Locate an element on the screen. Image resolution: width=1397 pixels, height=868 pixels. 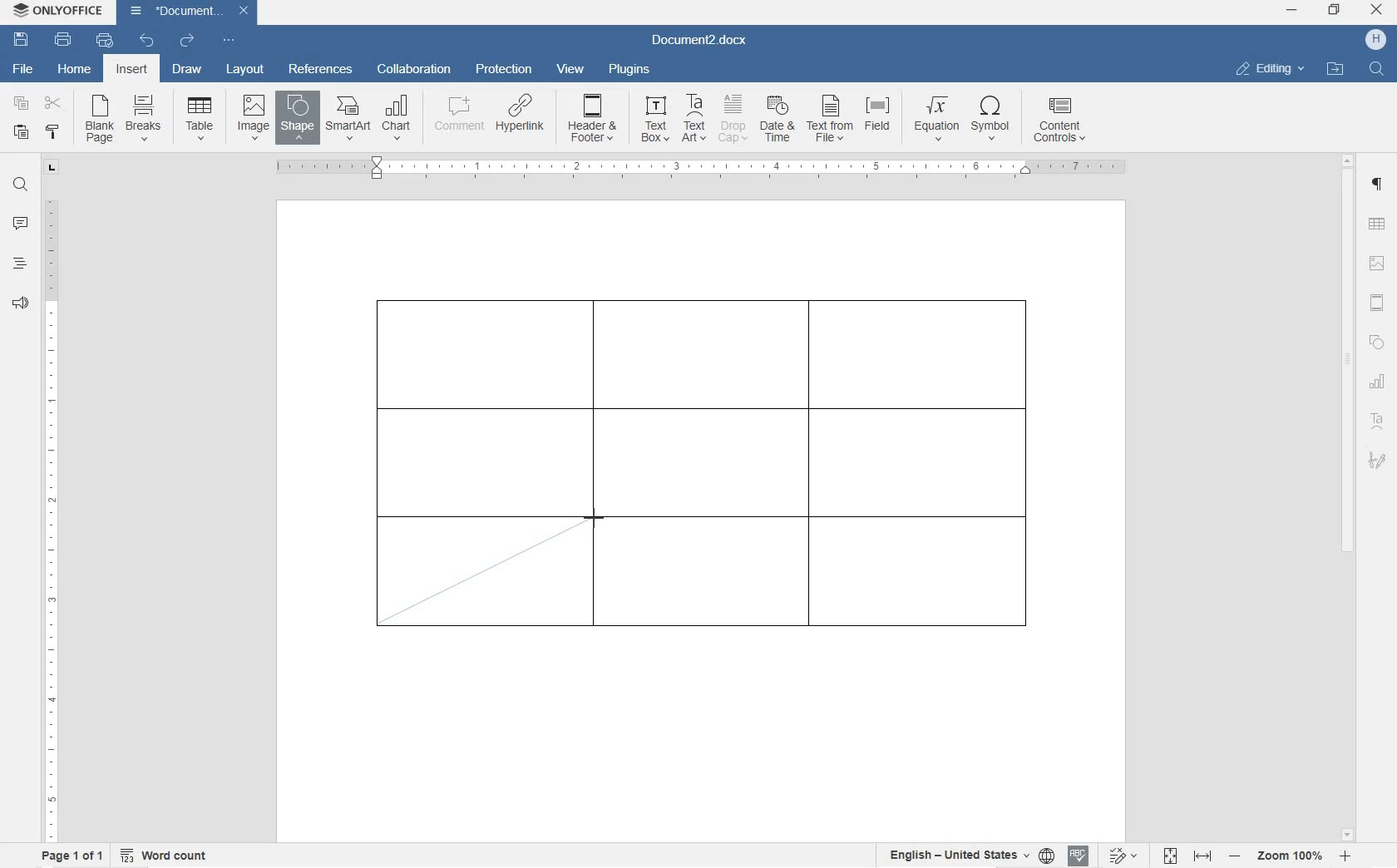
find is located at coordinates (22, 186).